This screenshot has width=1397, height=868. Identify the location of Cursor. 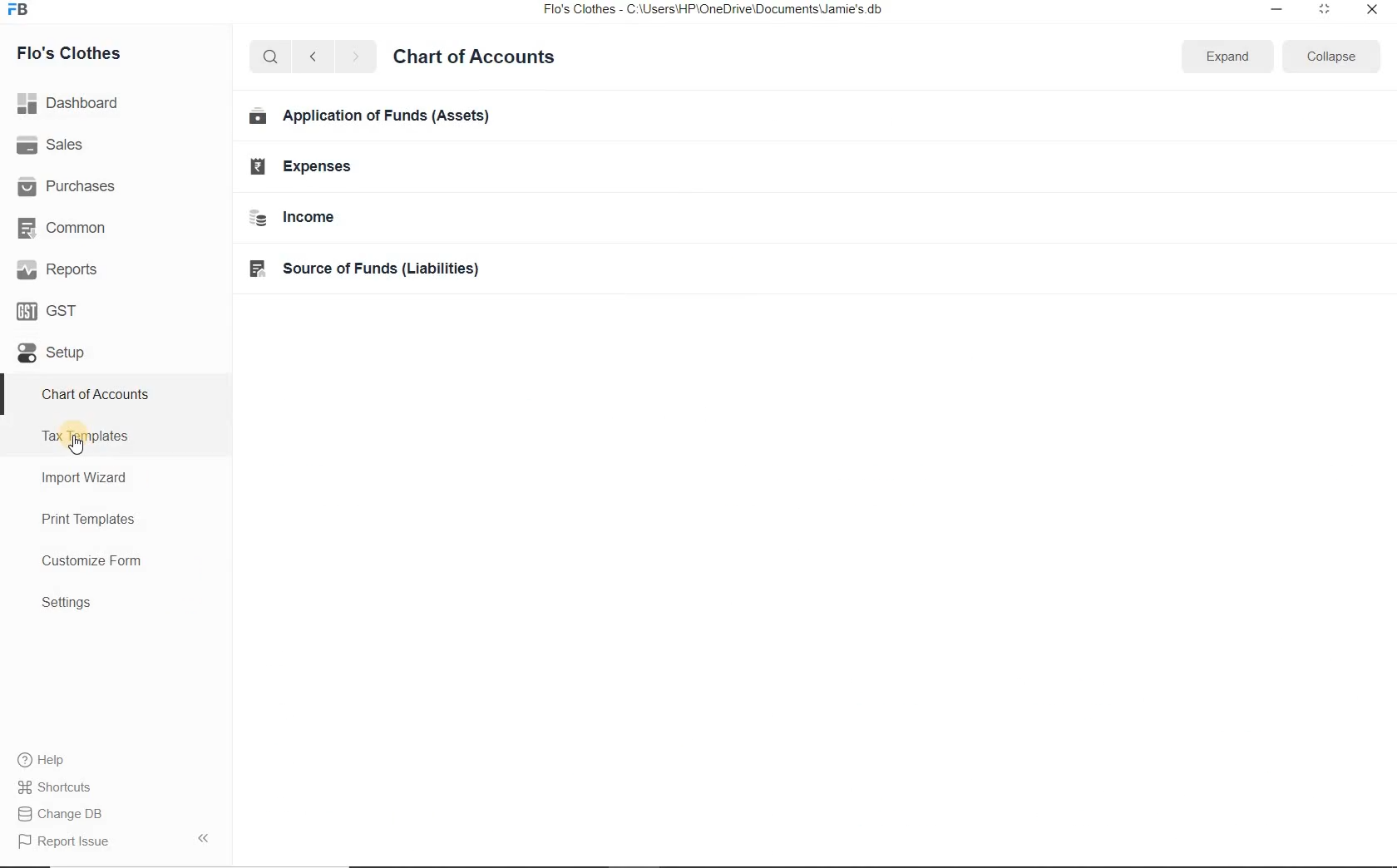
(78, 444).